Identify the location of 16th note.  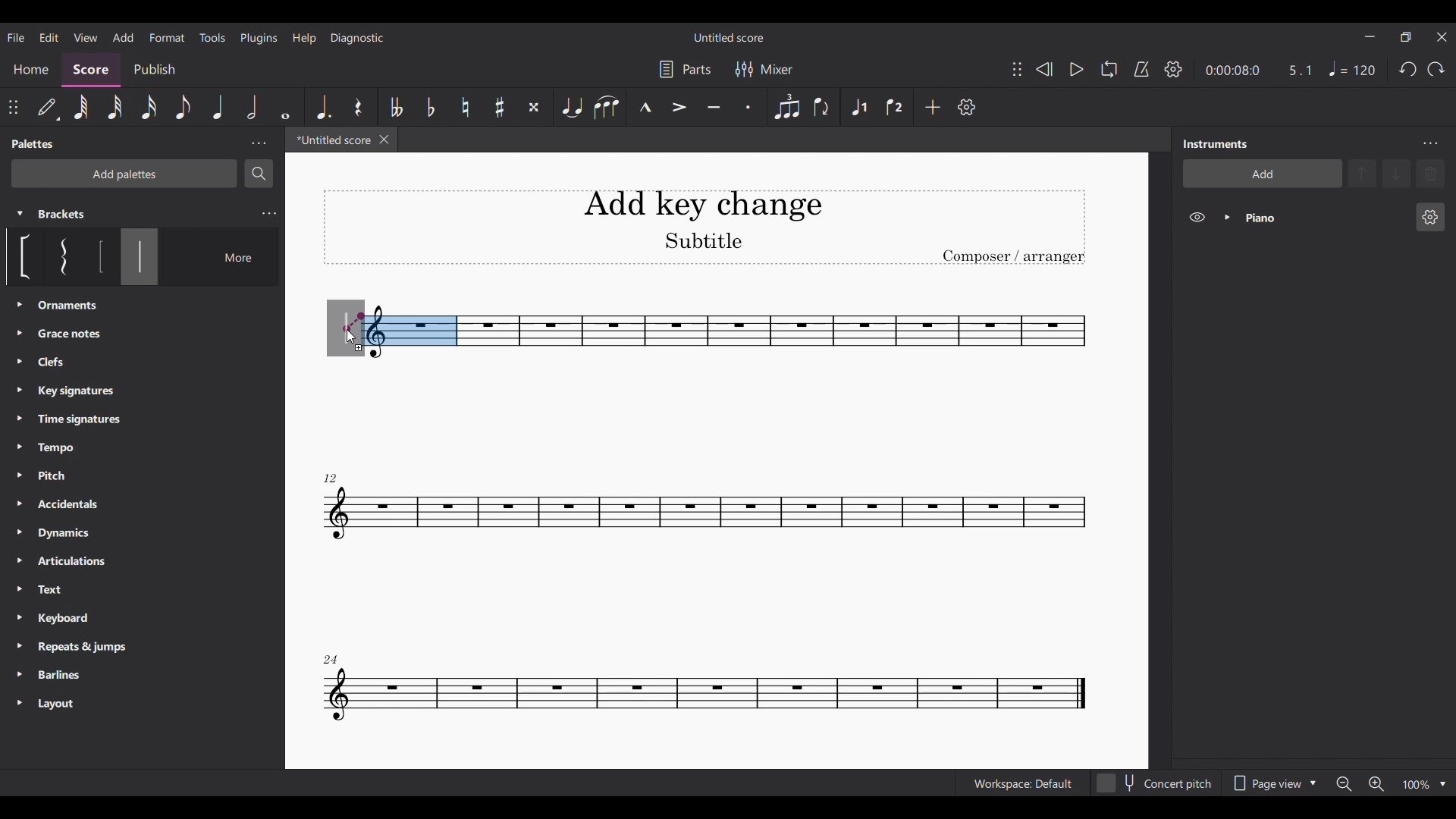
(149, 108).